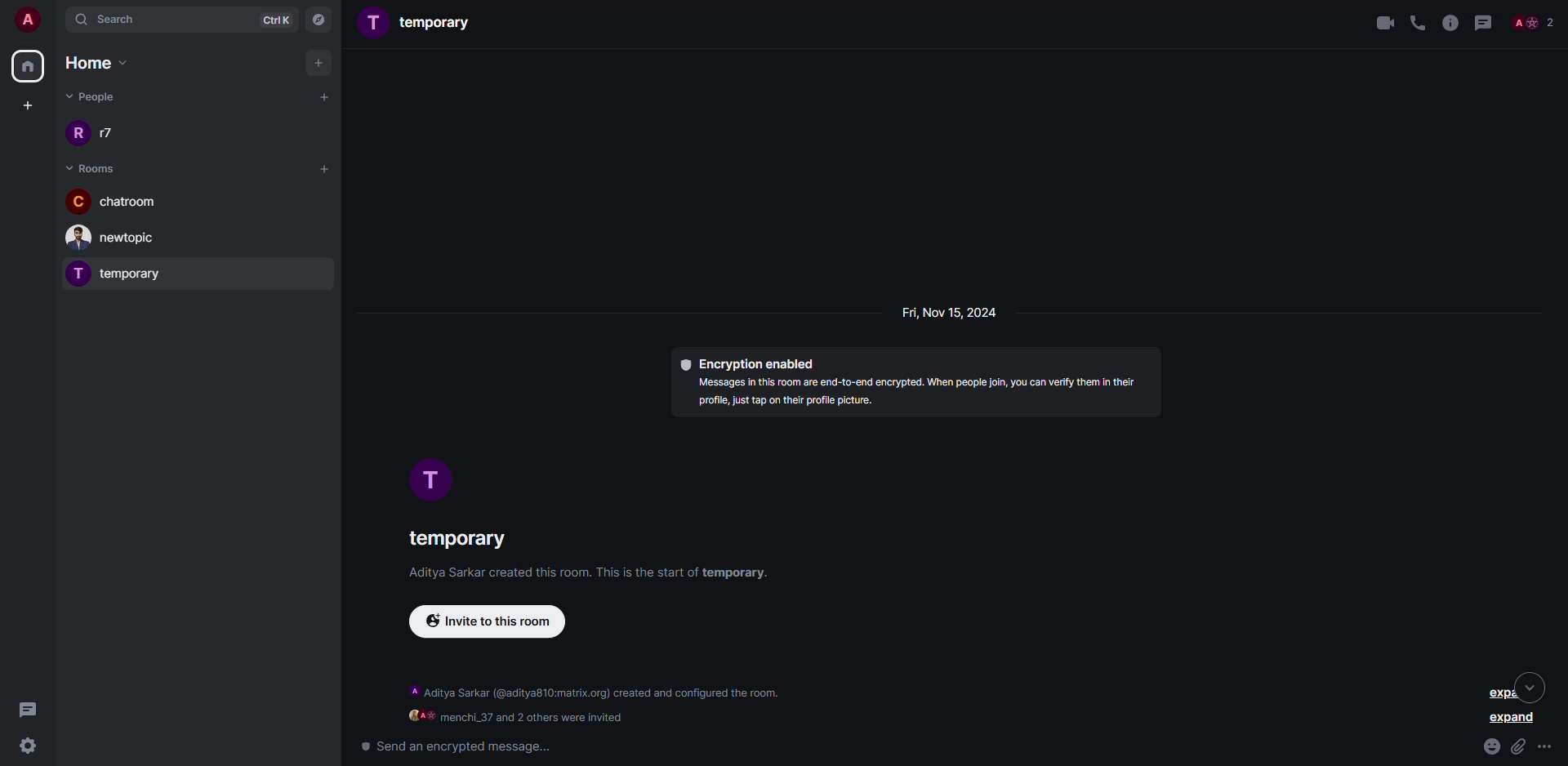  What do you see at coordinates (422, 24) in the screenshot?
I see `temporary` at bounding box center [422, 24].